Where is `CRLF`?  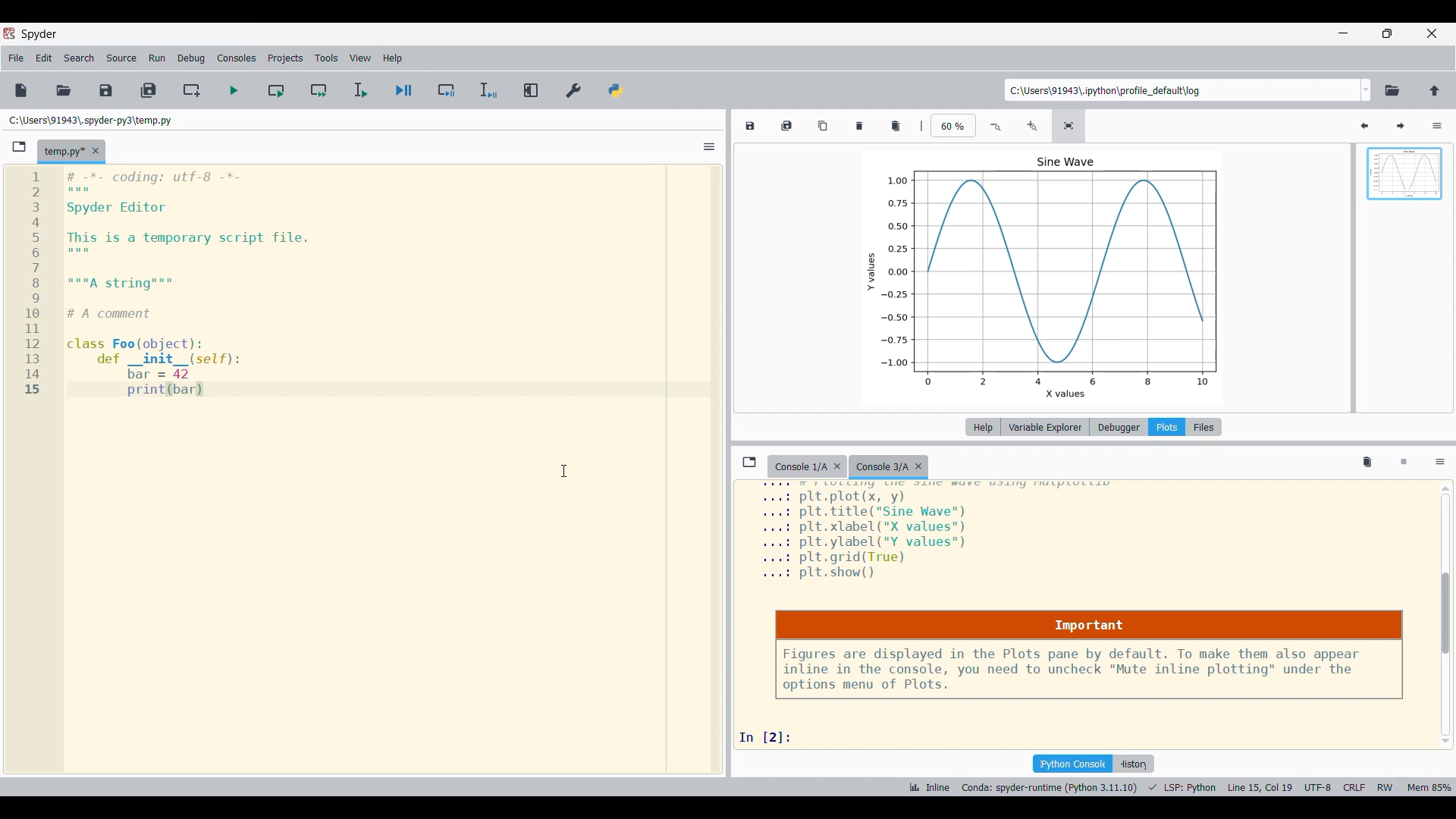
CRLF is located at coordinates (1353, 786).